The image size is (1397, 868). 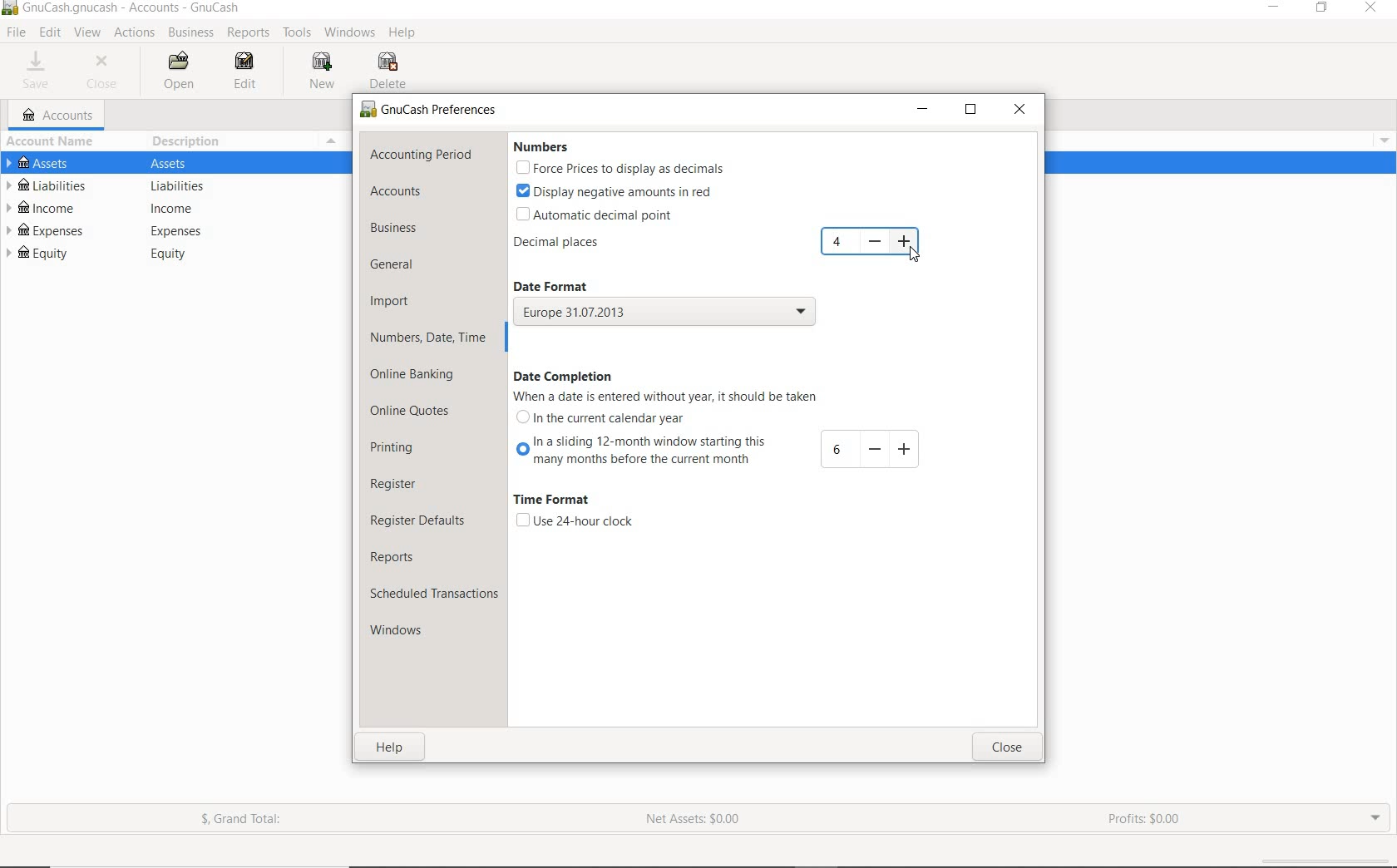 What do you see at coordinates (971, 109) in the screenshot?
I see `ESTORE DOWN` at bounding box center [971, 109].